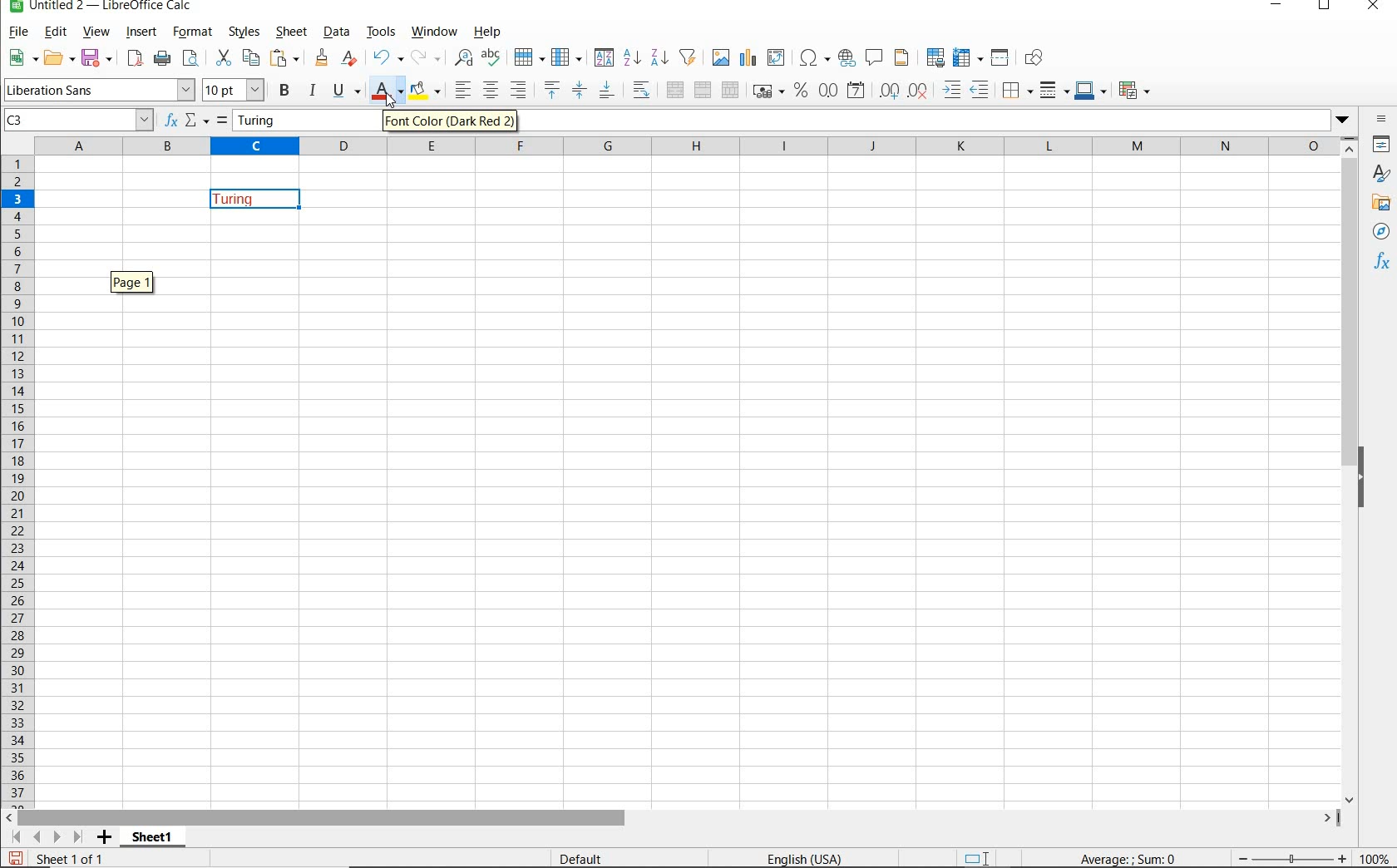 The width and height of the screenshot is (1397, 868). I want to click on CONDITIONAL, so click(1136, 91).